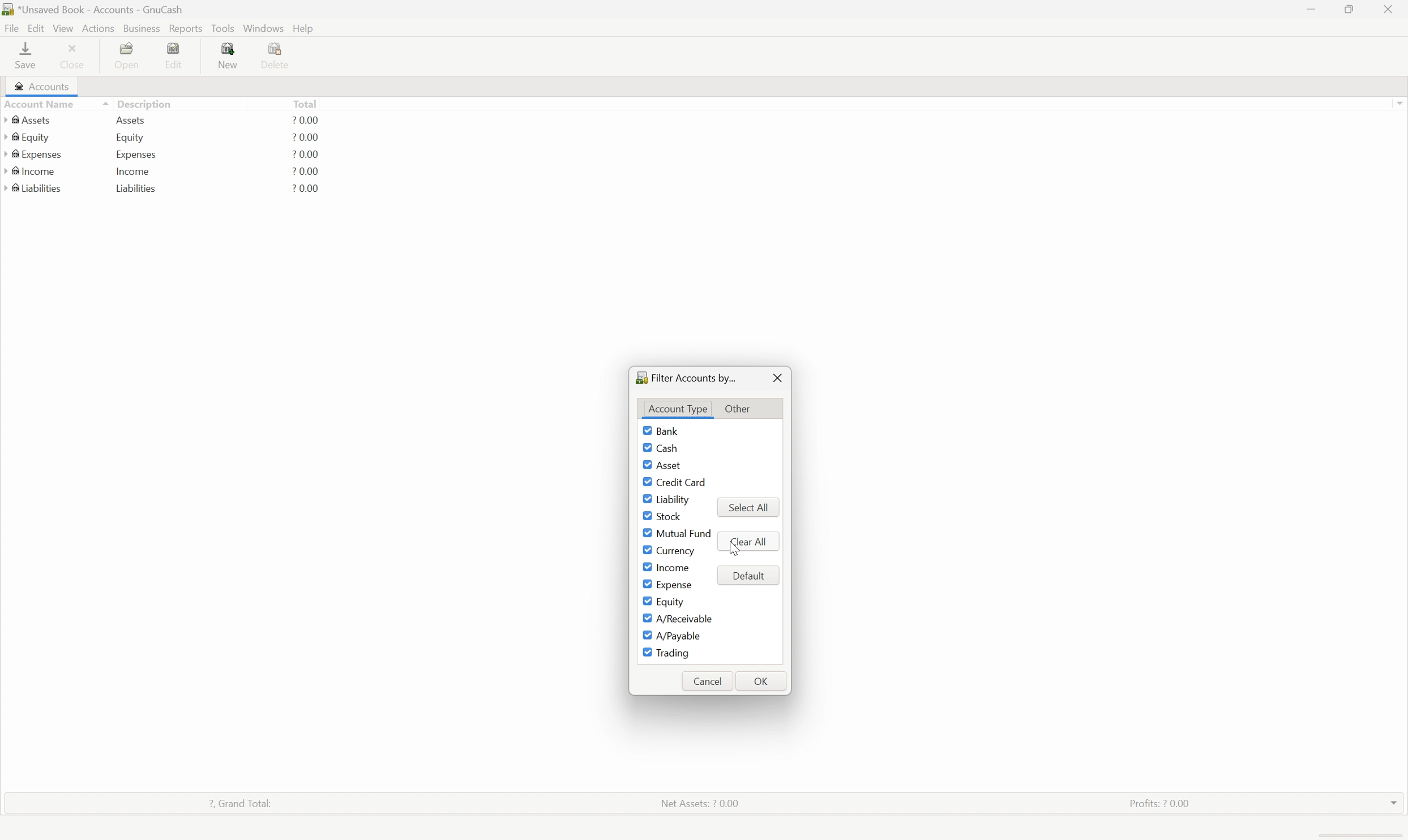  I want to click on save, so click(27, 54).